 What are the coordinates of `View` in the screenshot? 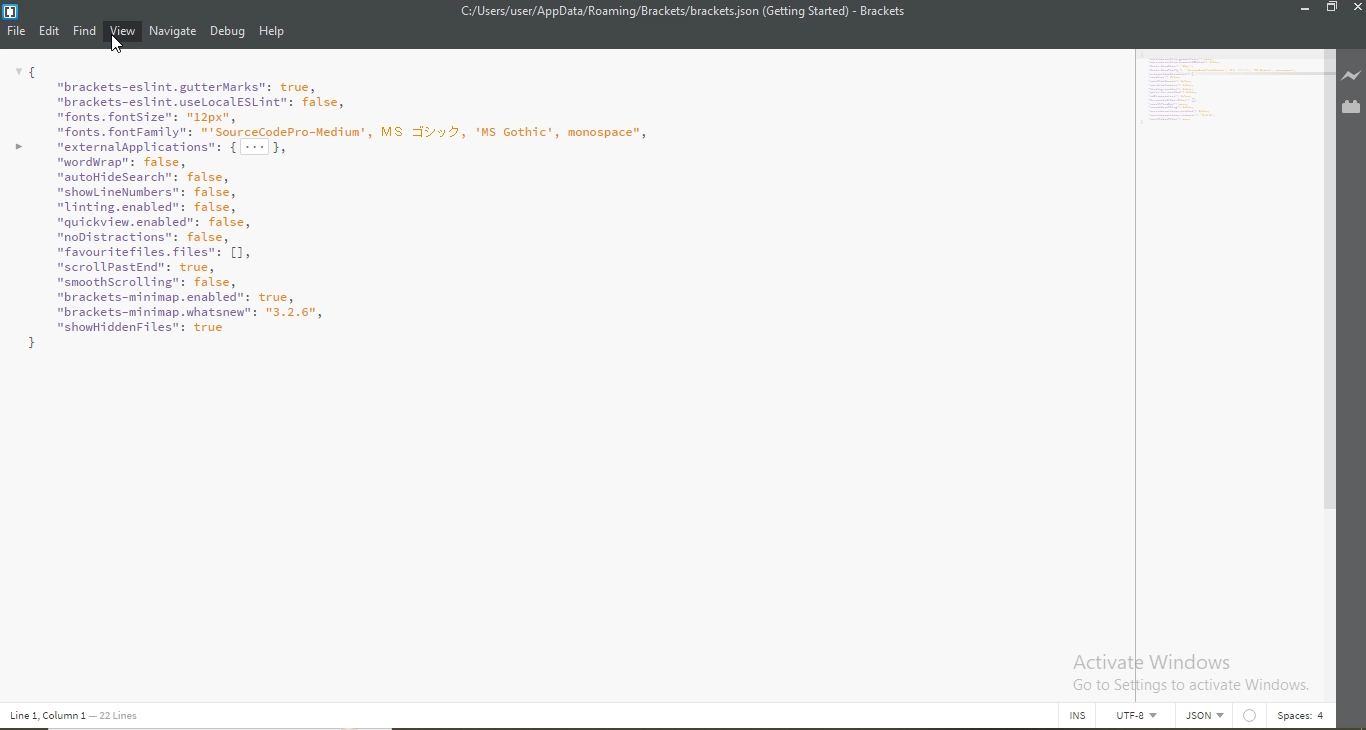 It's located at (123, 33).